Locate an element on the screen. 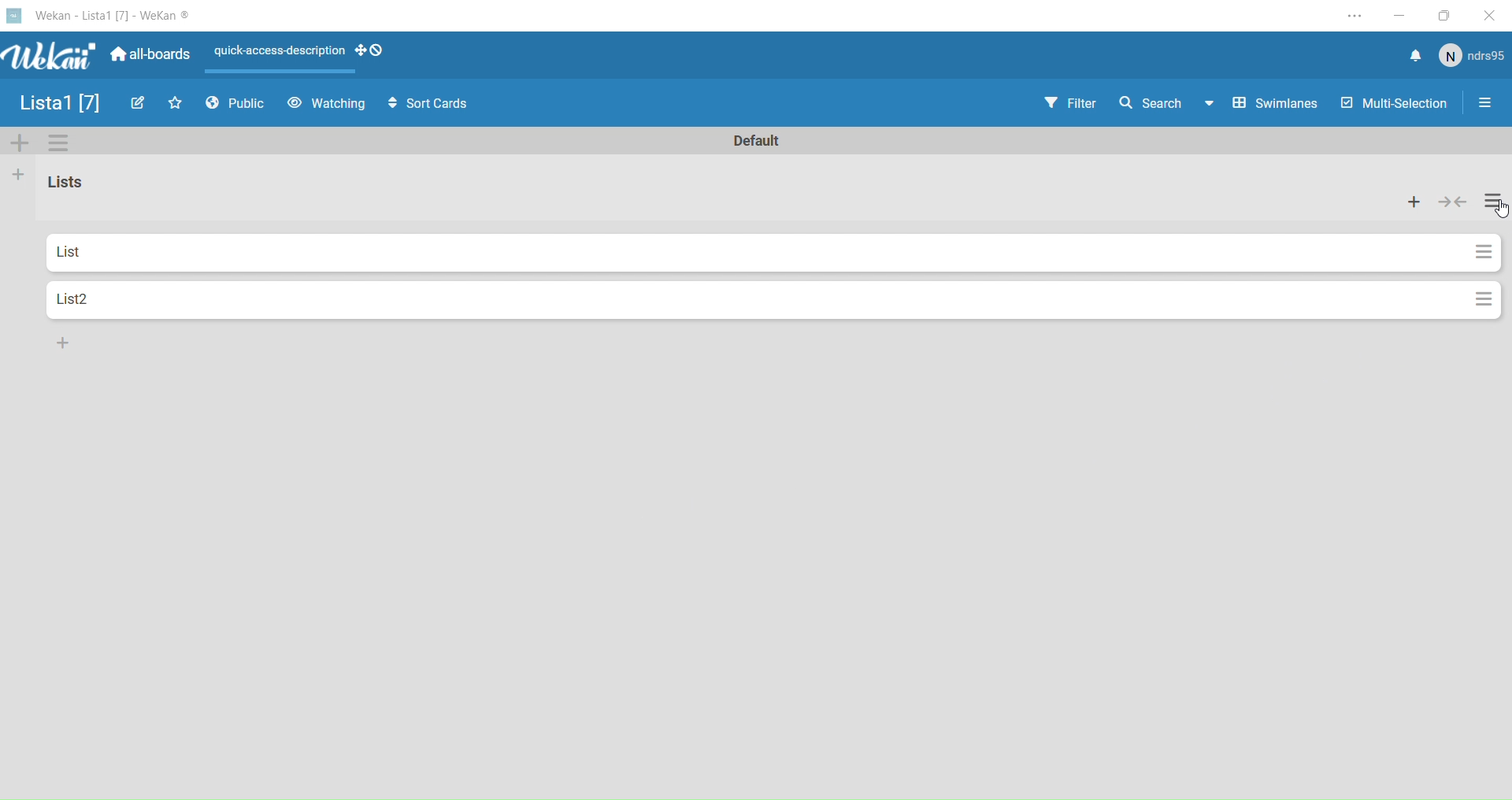  actions is located at coordinates (1484, 253).